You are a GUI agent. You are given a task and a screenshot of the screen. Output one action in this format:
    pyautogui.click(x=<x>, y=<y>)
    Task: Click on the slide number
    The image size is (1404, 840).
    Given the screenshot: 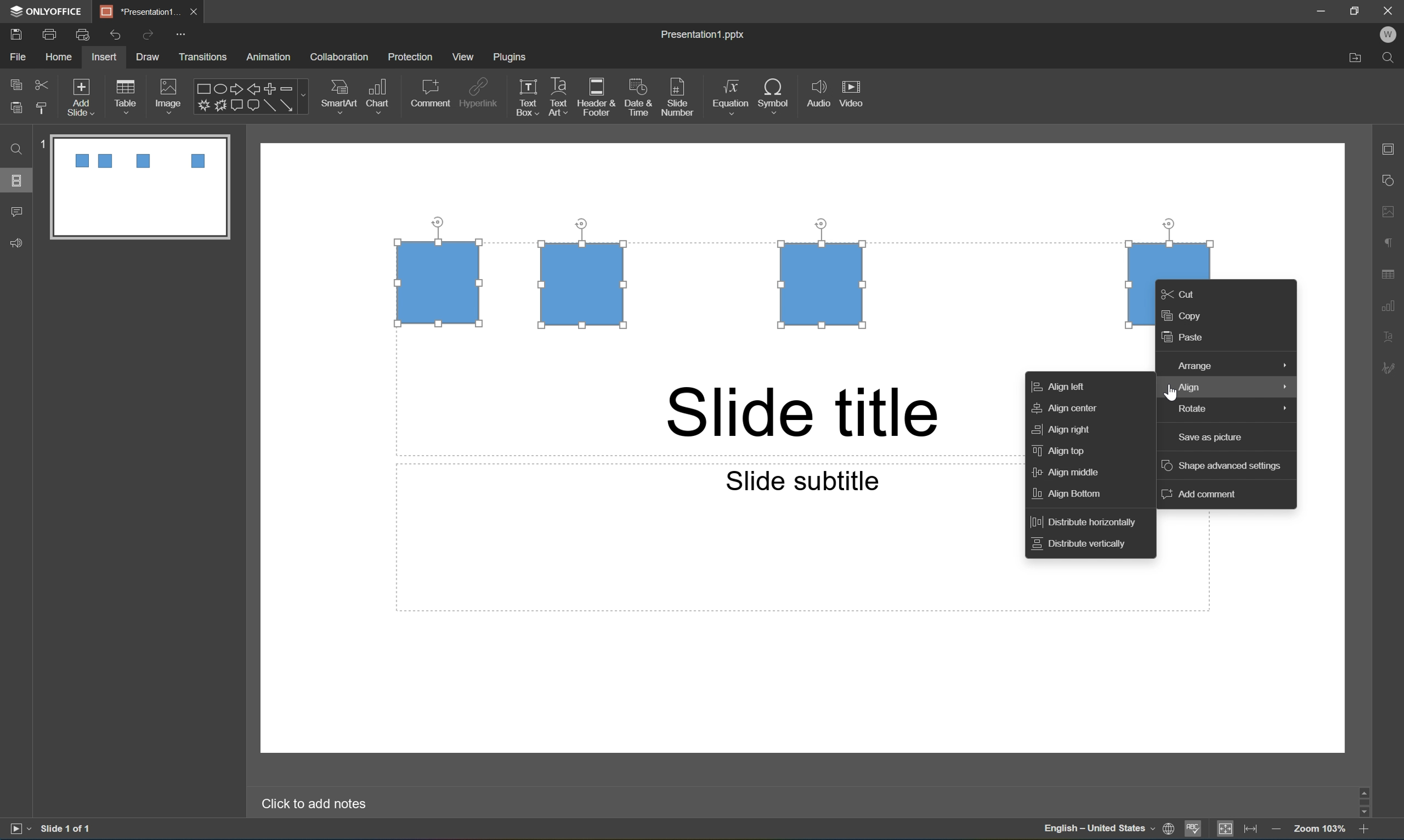 What is the action you would take?
    pyautogui.click(x=678, y=98)
    